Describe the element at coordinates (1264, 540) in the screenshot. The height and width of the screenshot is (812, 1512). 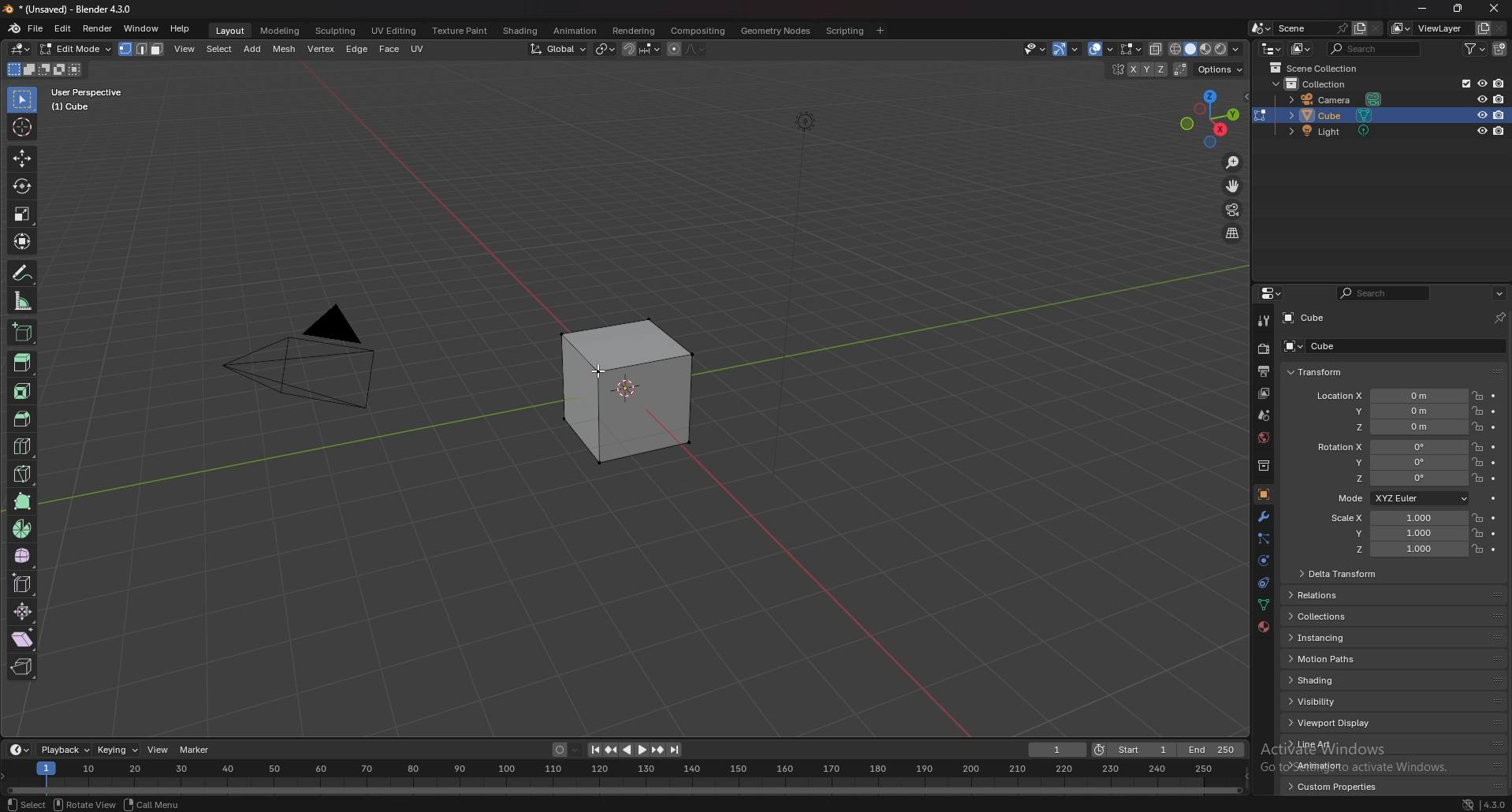
I see `particles` at that location.